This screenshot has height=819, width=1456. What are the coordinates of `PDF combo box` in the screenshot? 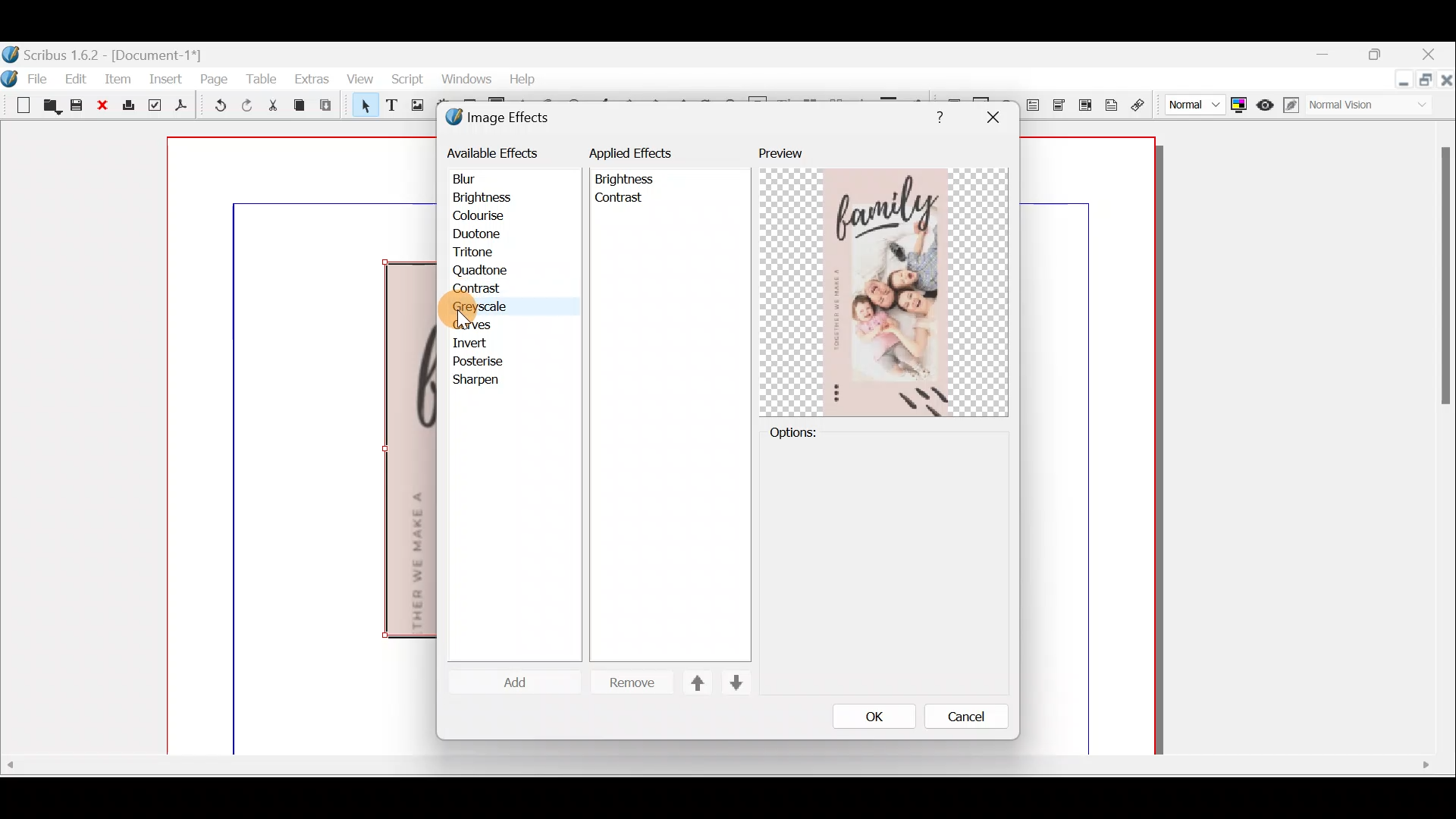 It's located at (1061, 110).